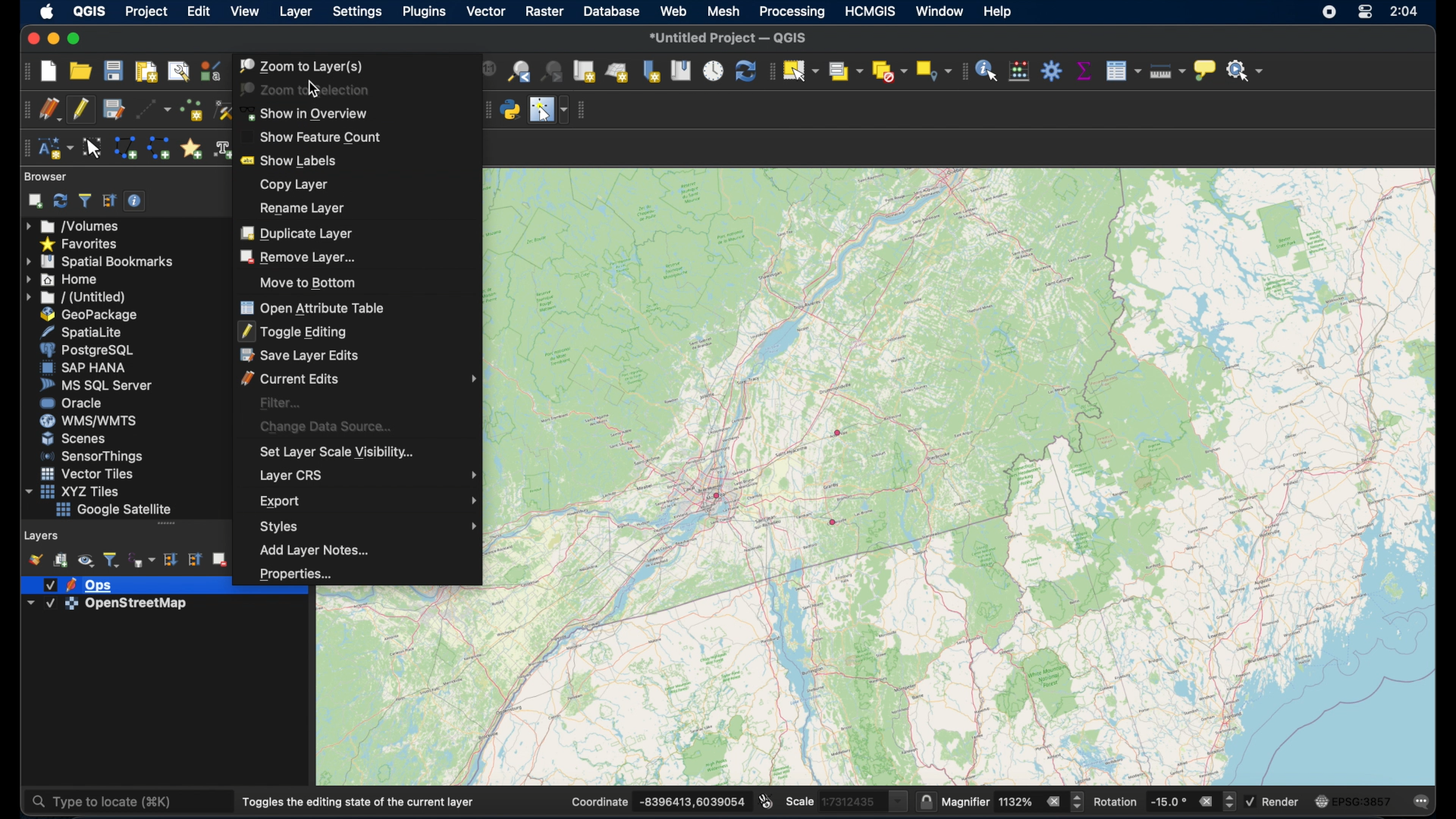 This screenshot has height=819, width=1456. I want to click on digitize with segment, so click(149, 110).